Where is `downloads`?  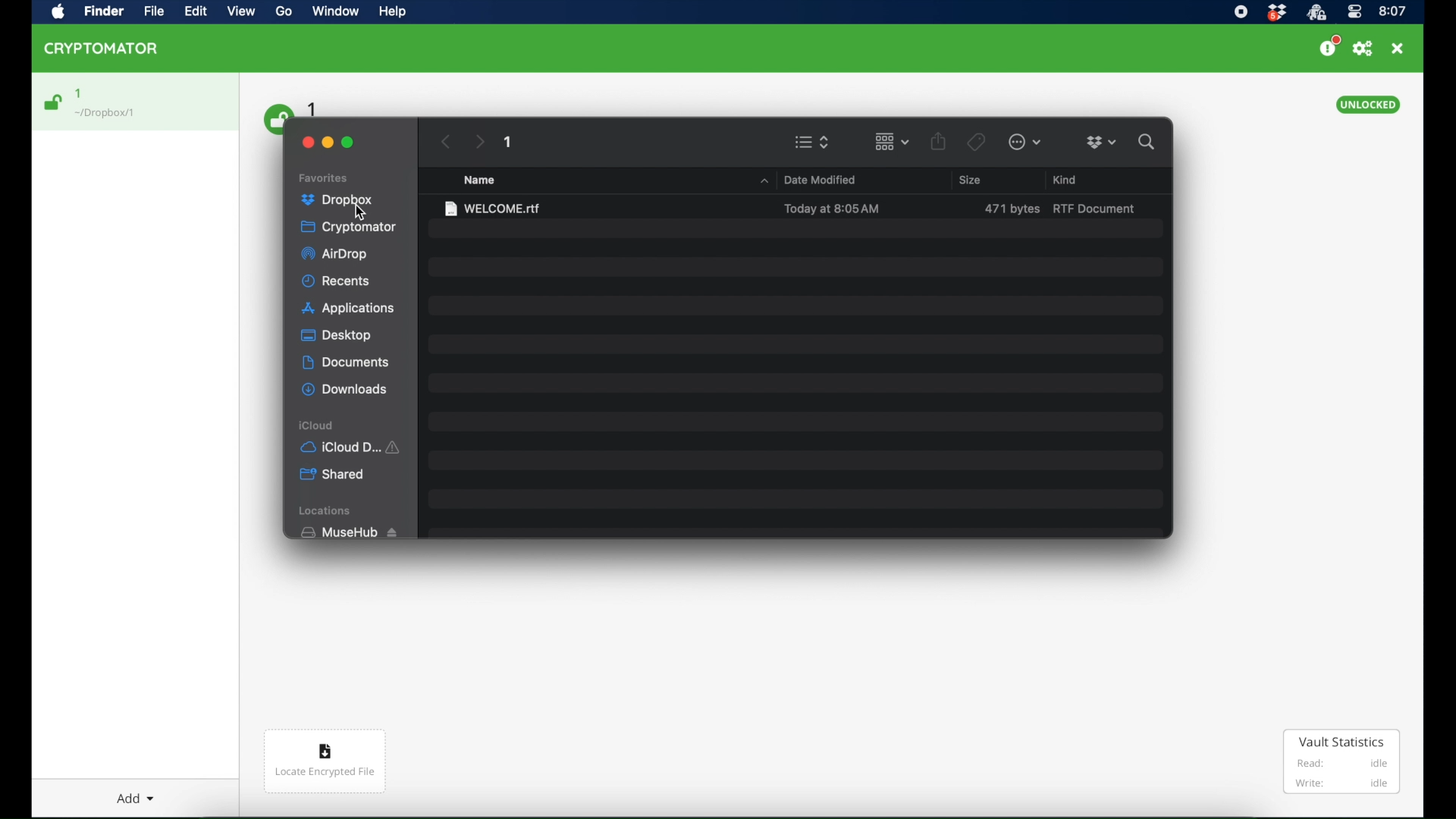
downloads is located at coordinates (344, 389).